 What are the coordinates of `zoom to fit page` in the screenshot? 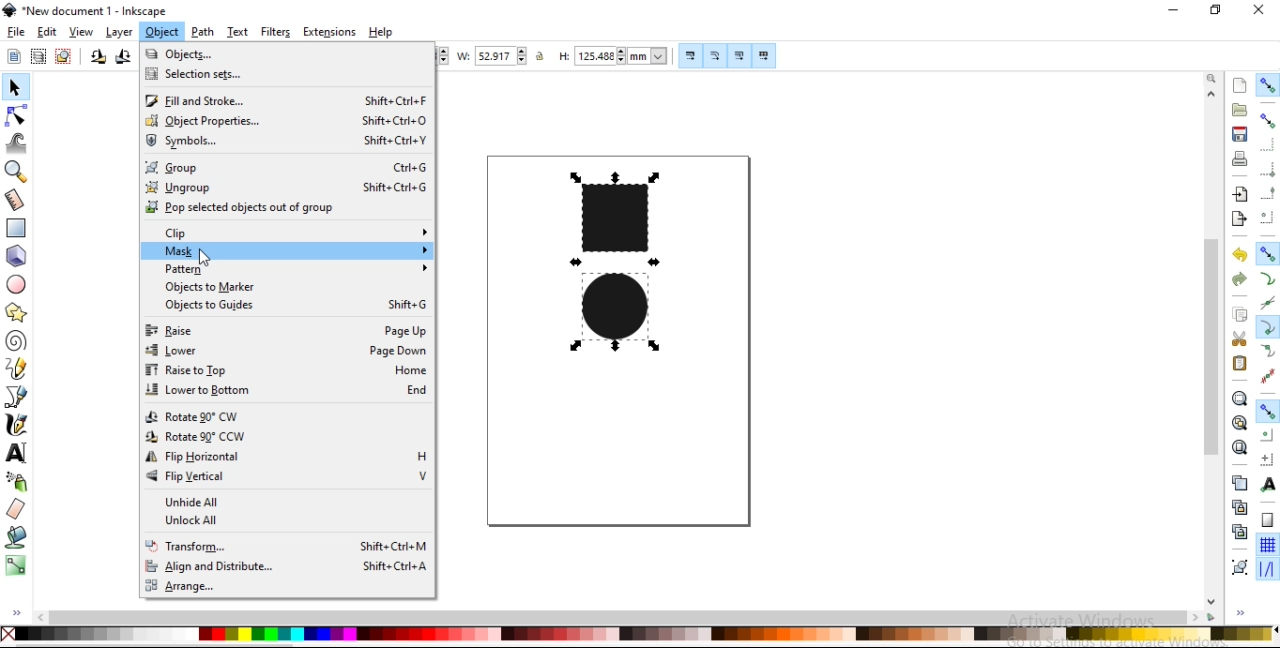 It's located at (1240, 447).